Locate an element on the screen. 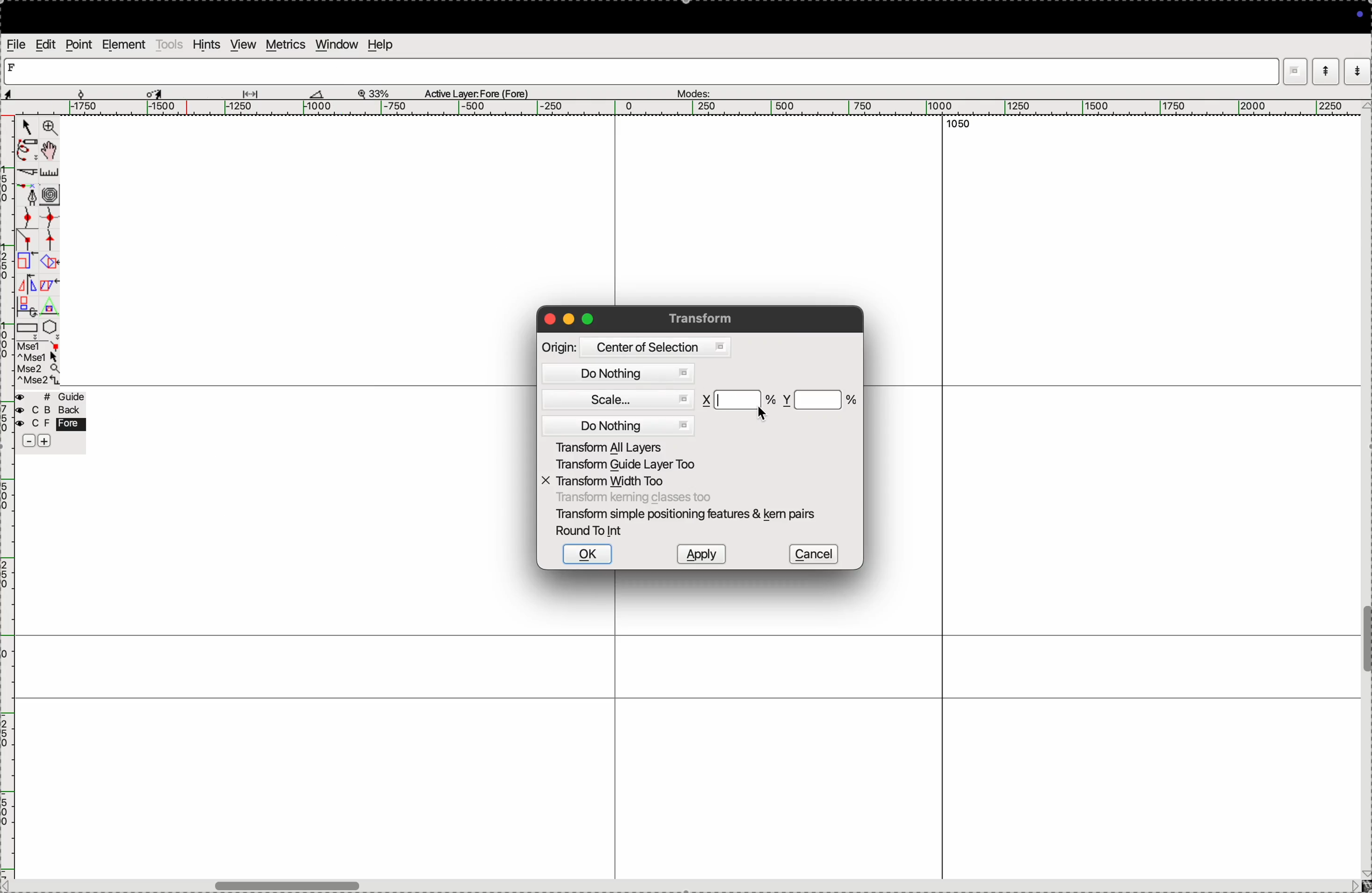 The width and height of the screenshot is (1372, 893). y co ordinate is located at coordinates (787, 400).